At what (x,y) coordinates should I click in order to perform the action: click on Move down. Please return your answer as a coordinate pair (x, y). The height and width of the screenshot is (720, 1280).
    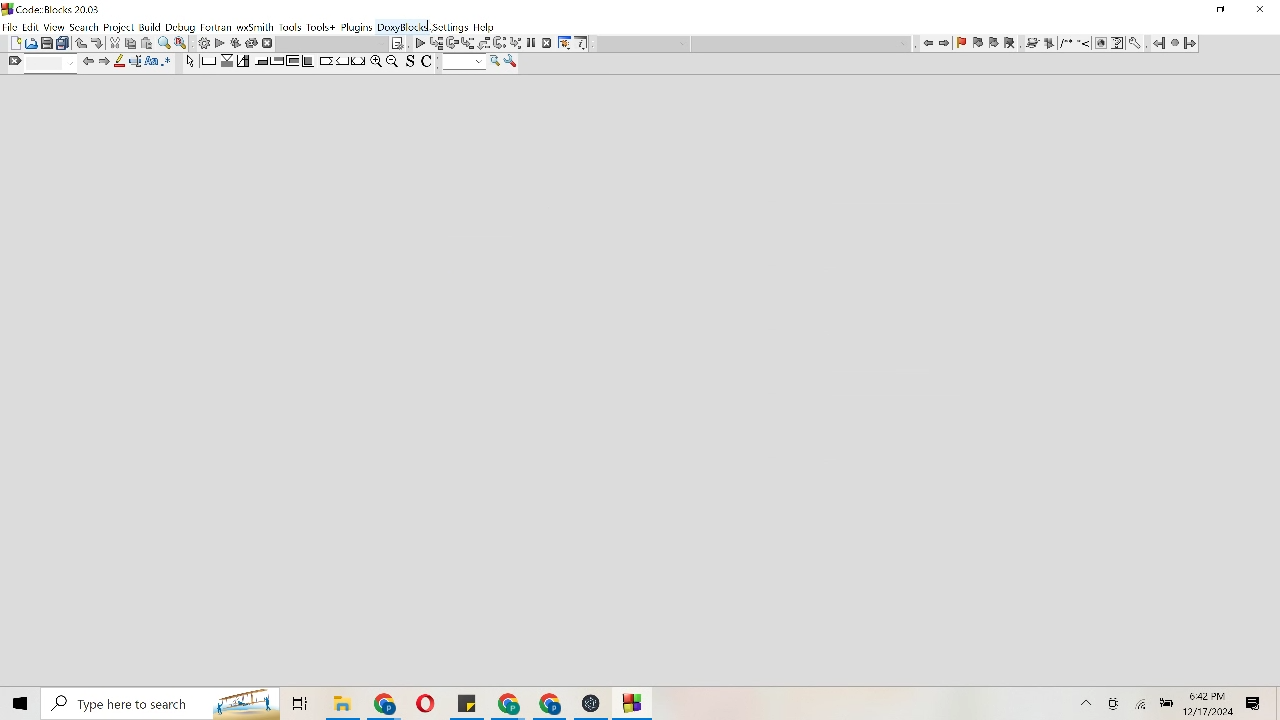
    Looking at the image, I should click on (98, 43).